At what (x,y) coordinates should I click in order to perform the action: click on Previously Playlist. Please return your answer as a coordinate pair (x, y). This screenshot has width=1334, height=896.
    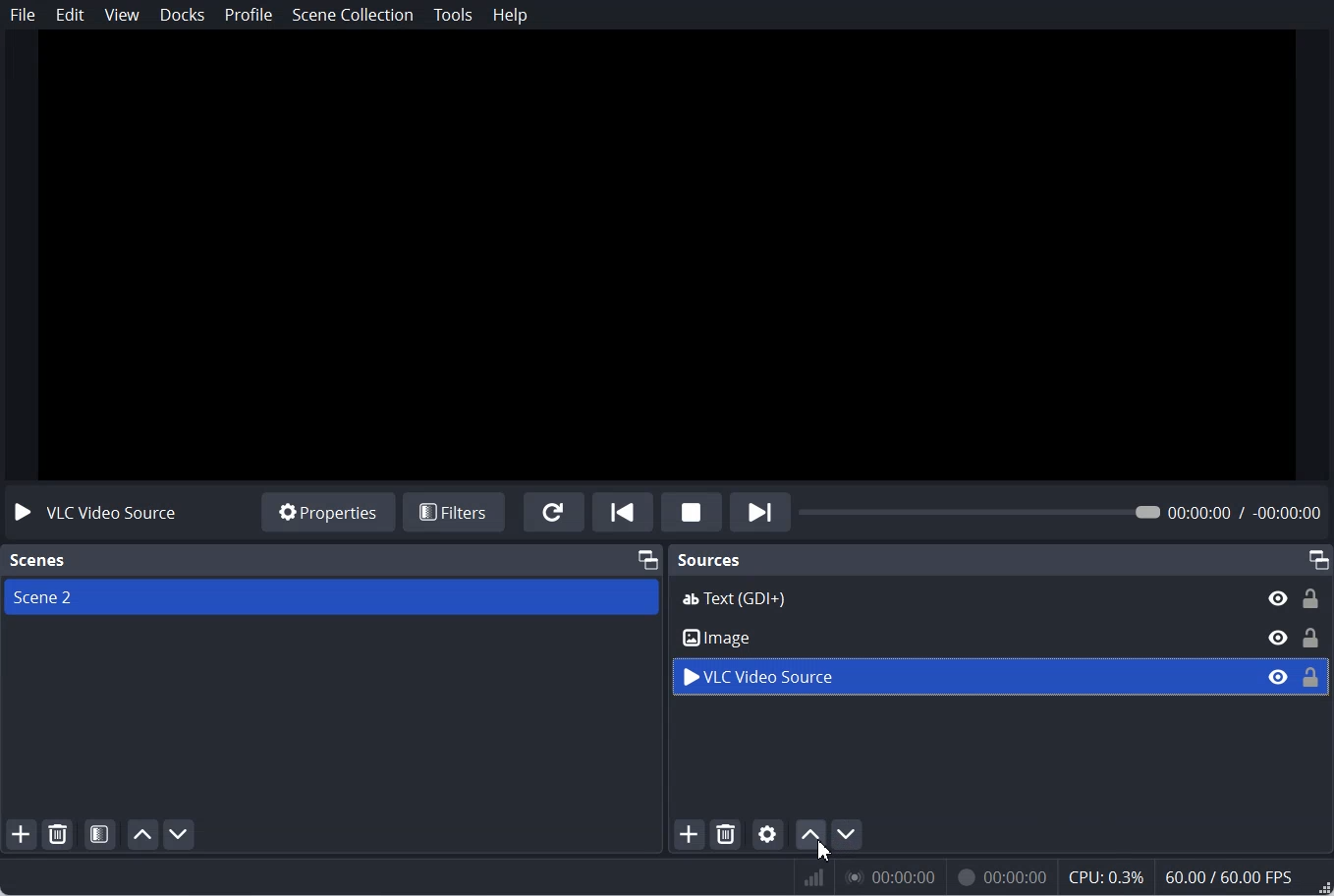
    Looking at the image, I should click on (623, 511).